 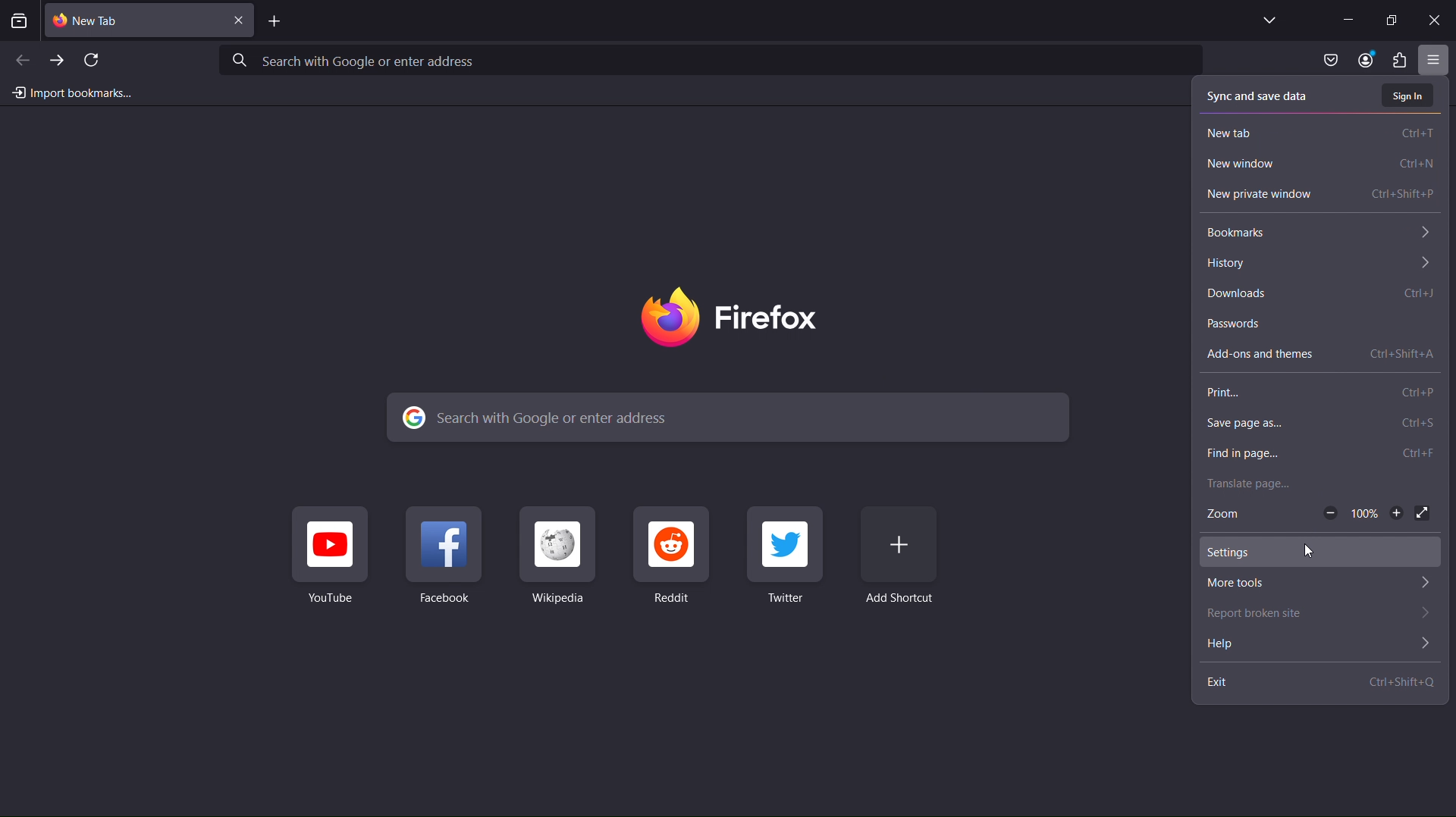 I want to click on Passwords, so click(x=1319, y=323).